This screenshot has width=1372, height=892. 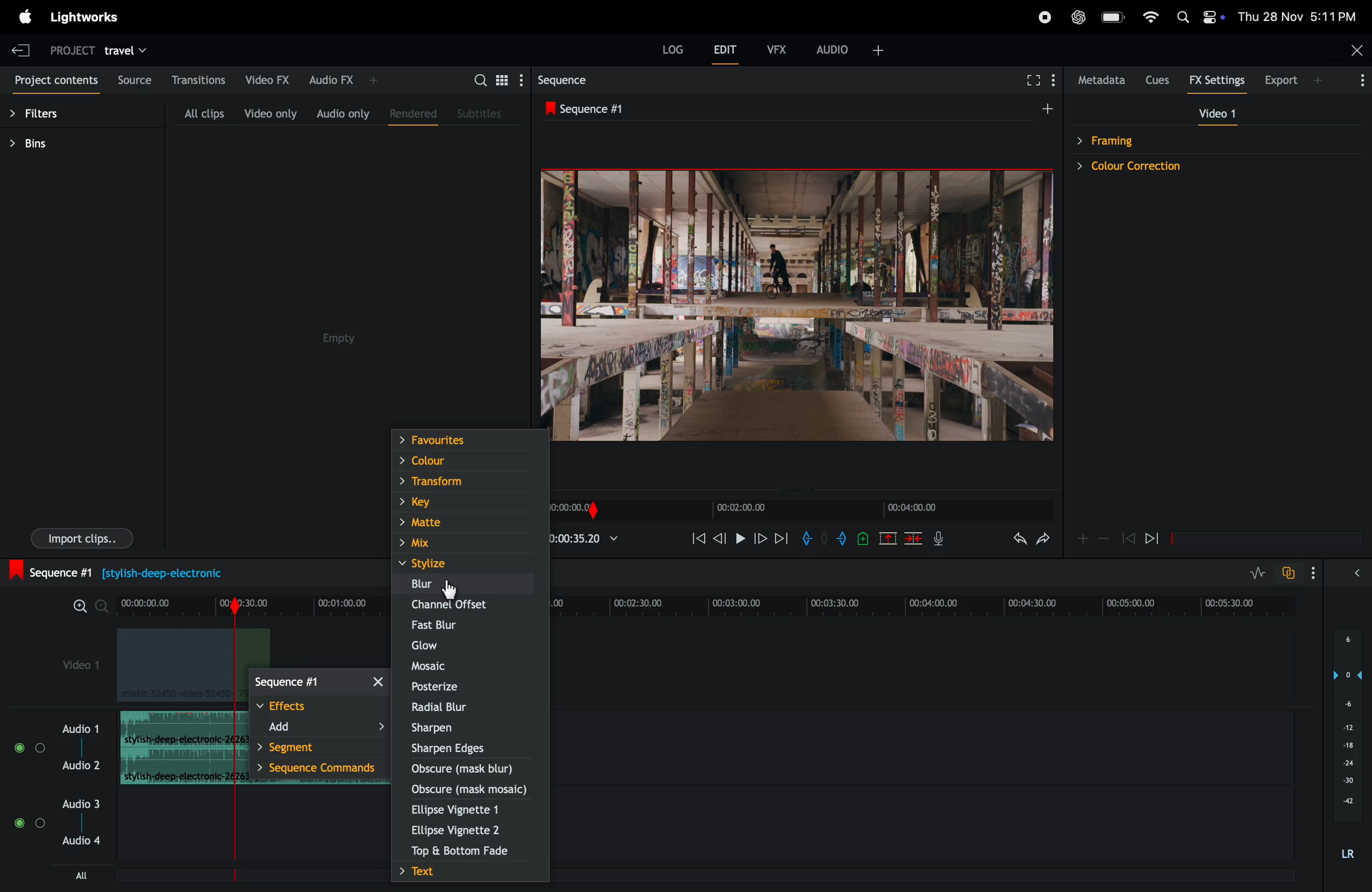 I want to click on transform, so click(x=466, y=479).